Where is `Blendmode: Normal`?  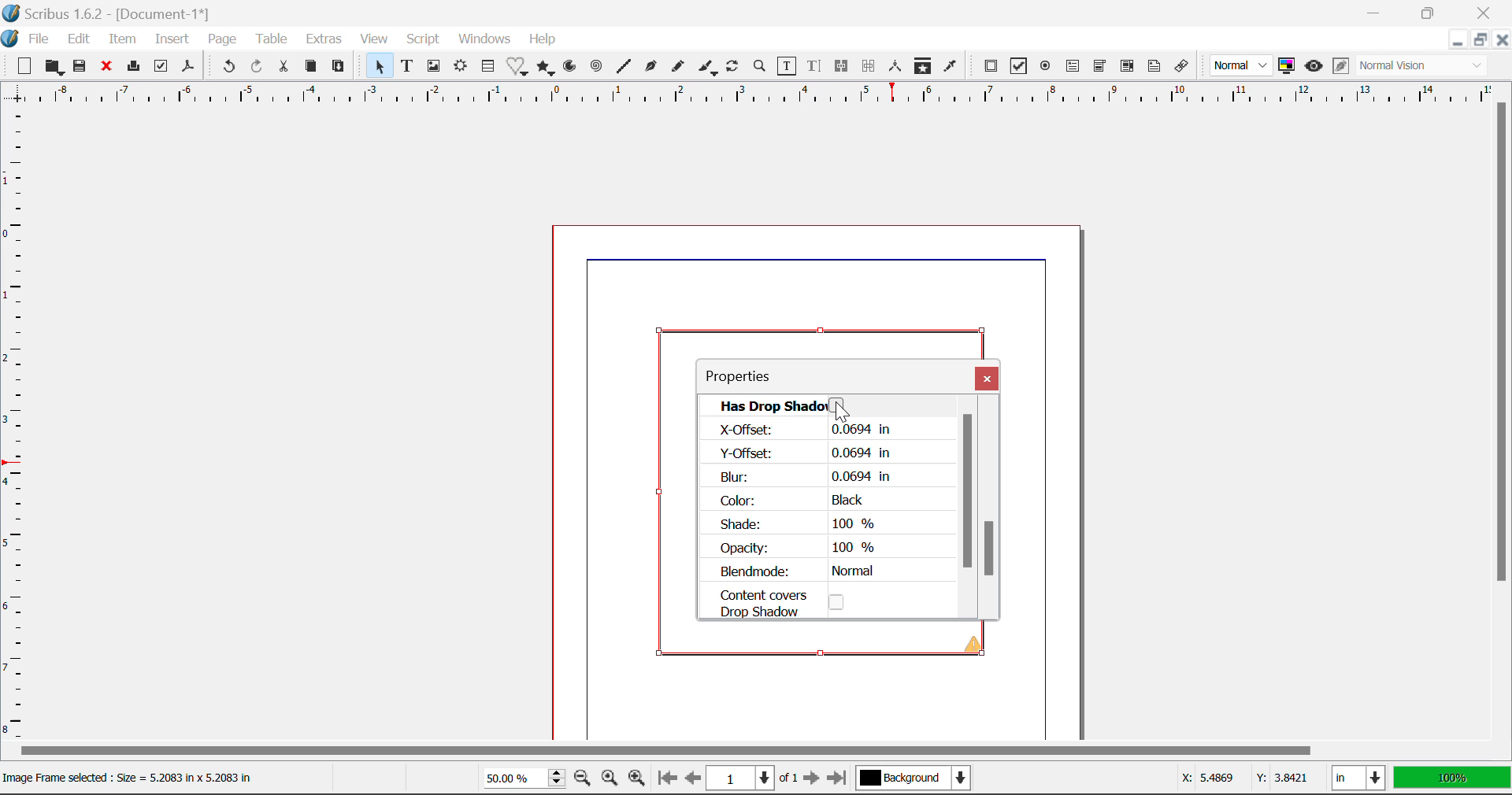 Blendmode: Normal is located at coordinates (803, 571).